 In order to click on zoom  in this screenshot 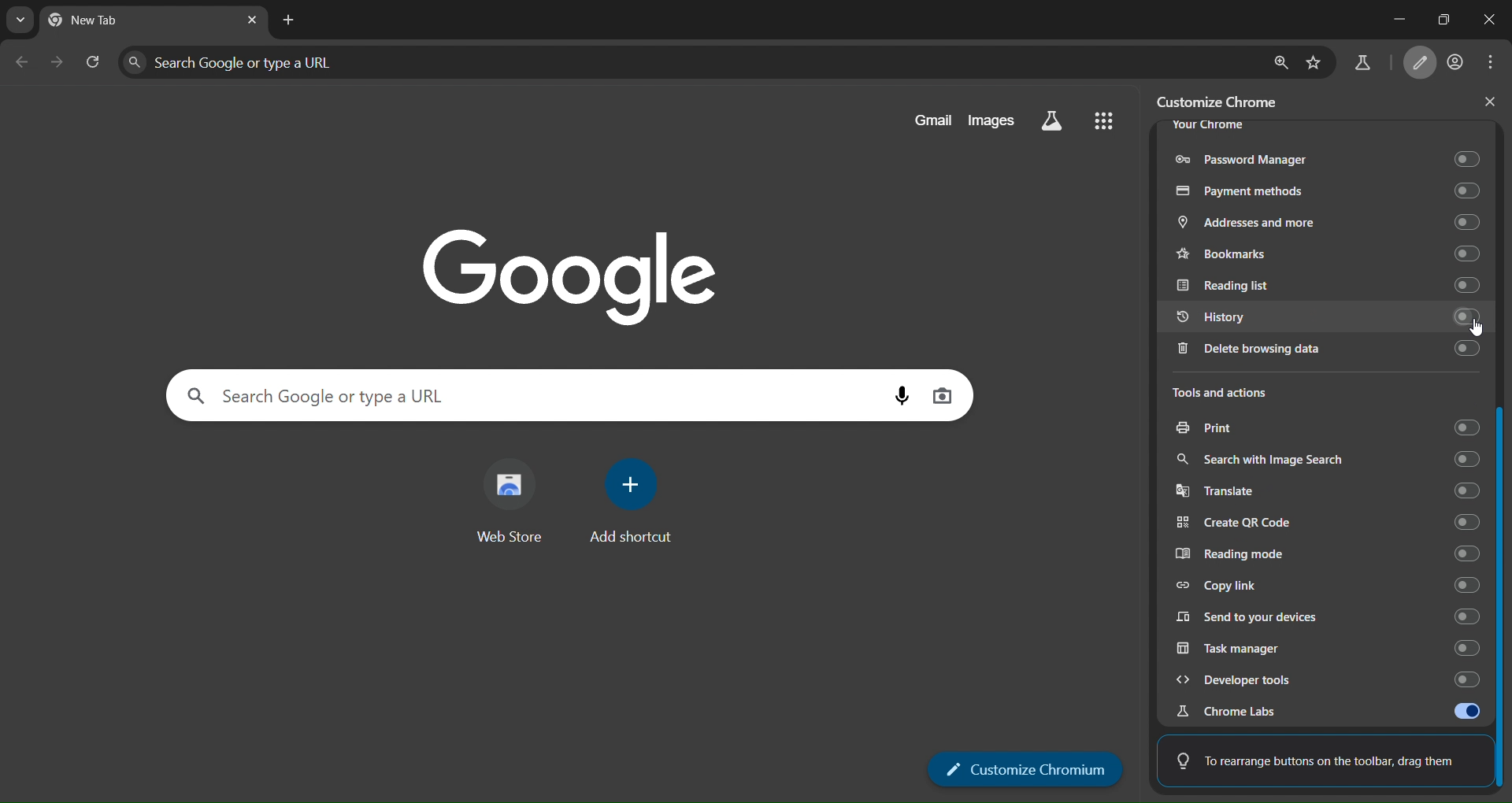, I will do `click(1279, 61)`.